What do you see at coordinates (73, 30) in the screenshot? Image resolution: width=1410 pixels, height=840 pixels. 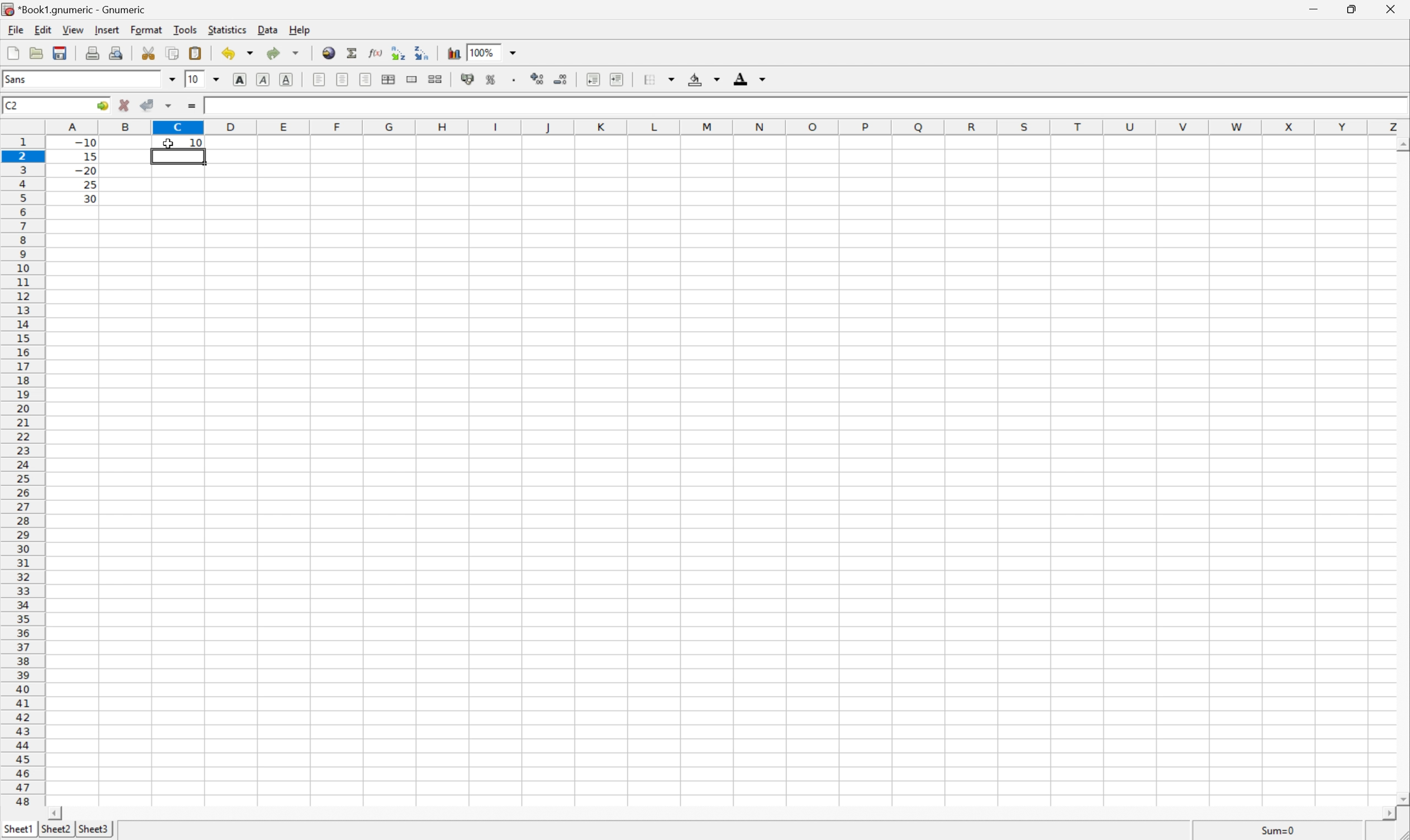 I see `View` at bounding box center [73, 30].